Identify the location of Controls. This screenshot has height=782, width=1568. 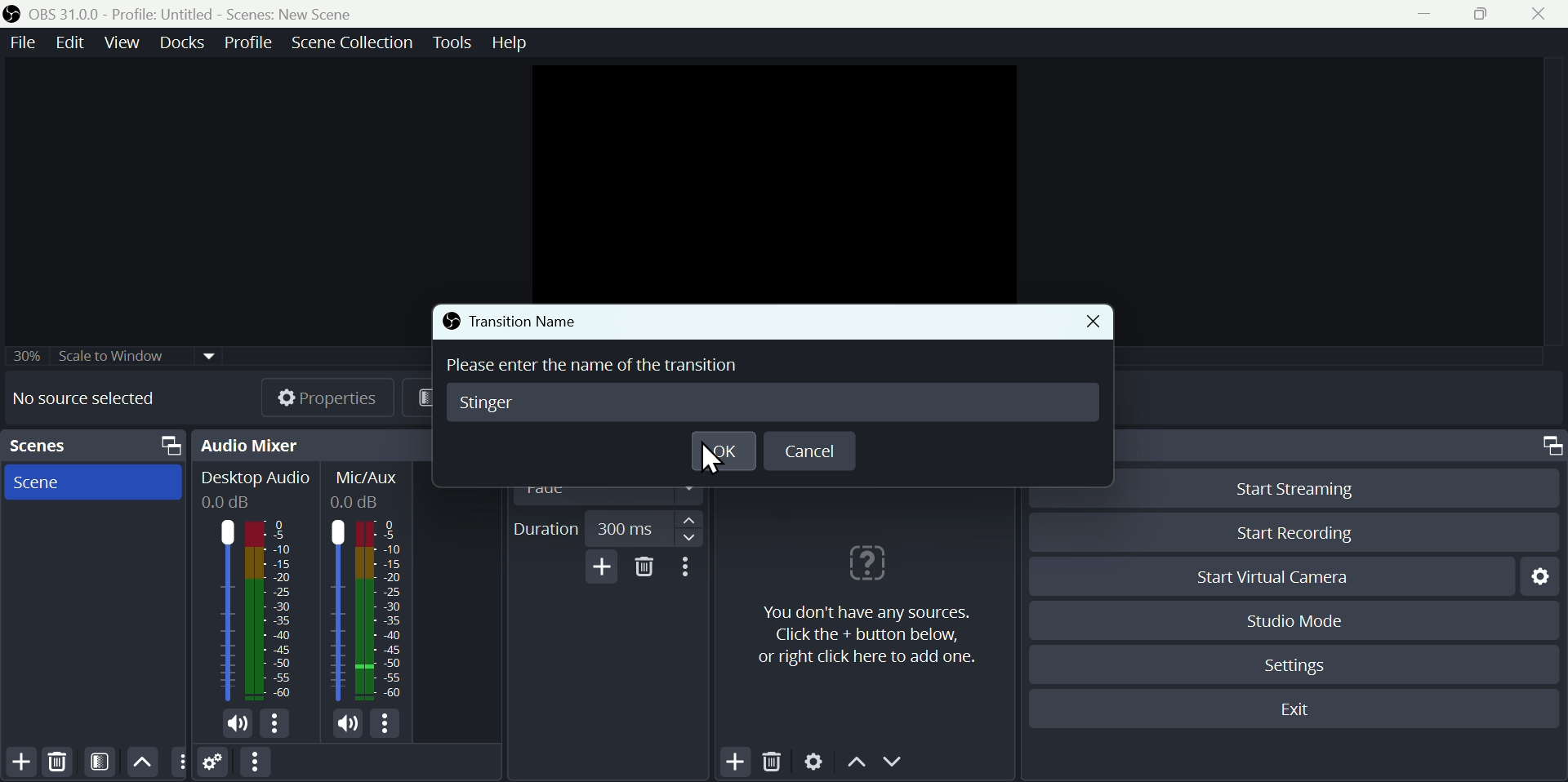
(1549, 446).